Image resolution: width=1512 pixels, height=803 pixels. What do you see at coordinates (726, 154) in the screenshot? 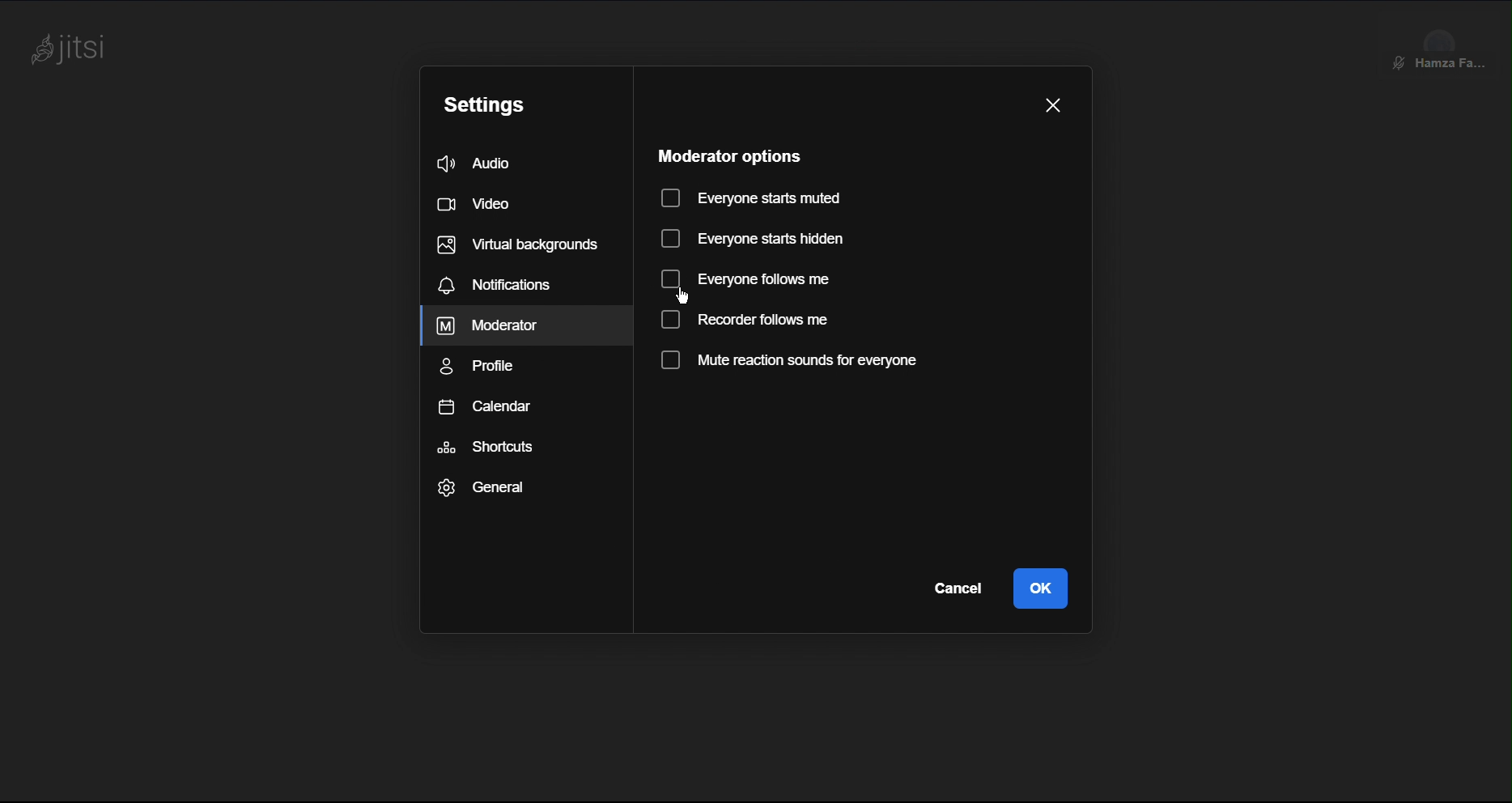
I see `Moderator options` at bounding box center [726, 154].